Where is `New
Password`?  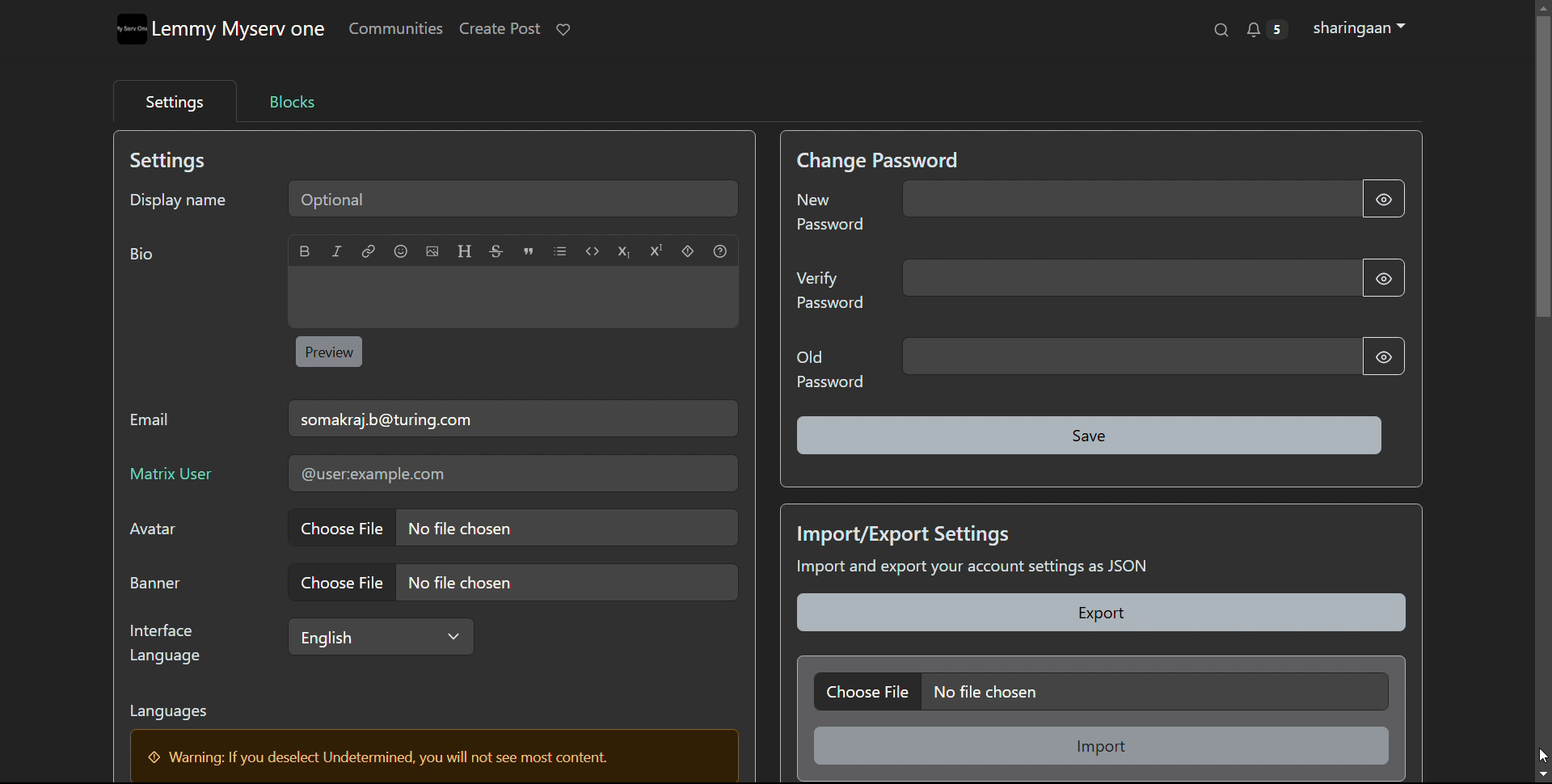 New
Password is located at coordinates (829, 210).